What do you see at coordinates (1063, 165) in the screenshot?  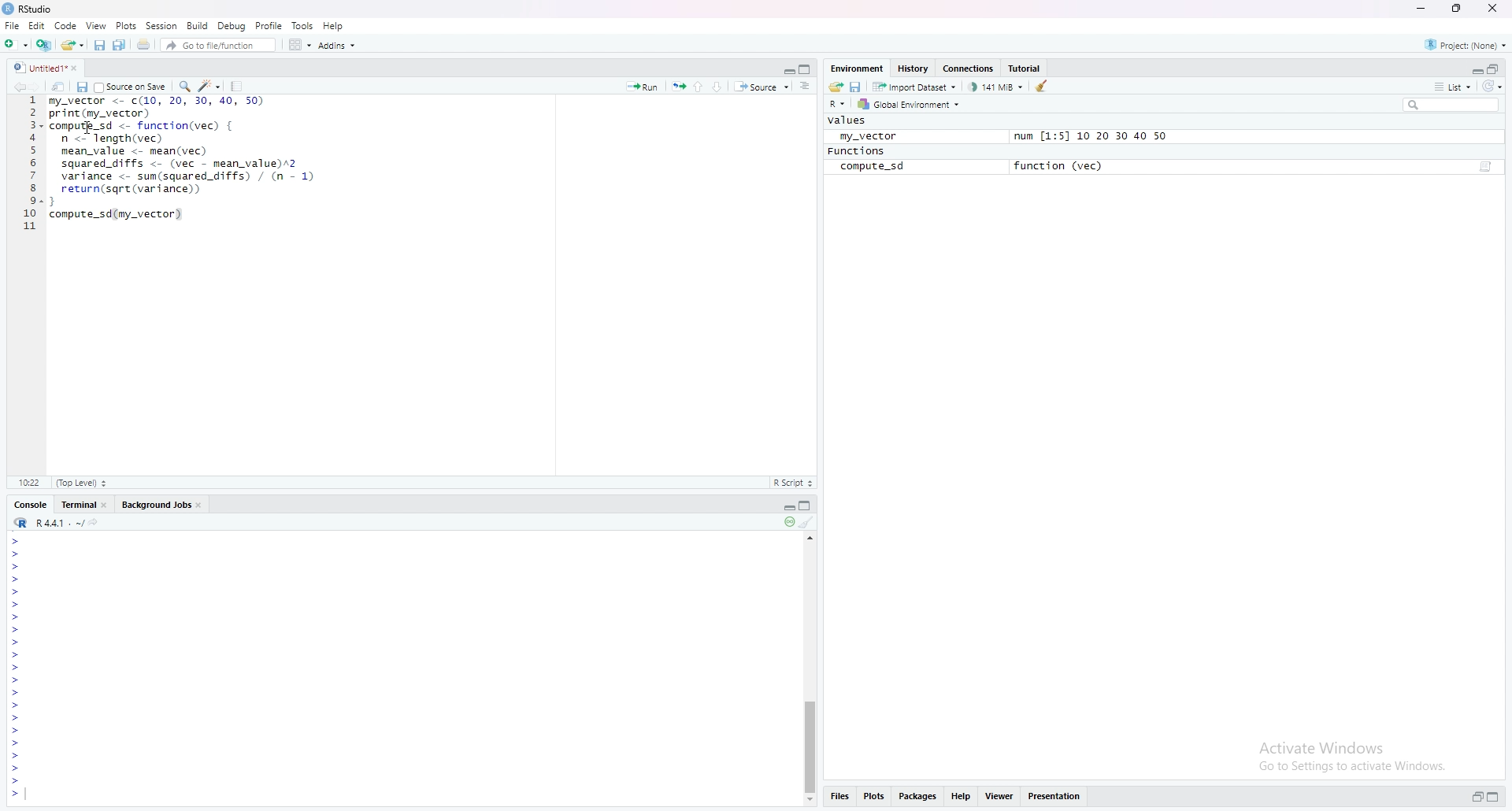 I see `function (vec)` at bounding box center [1063, 165].